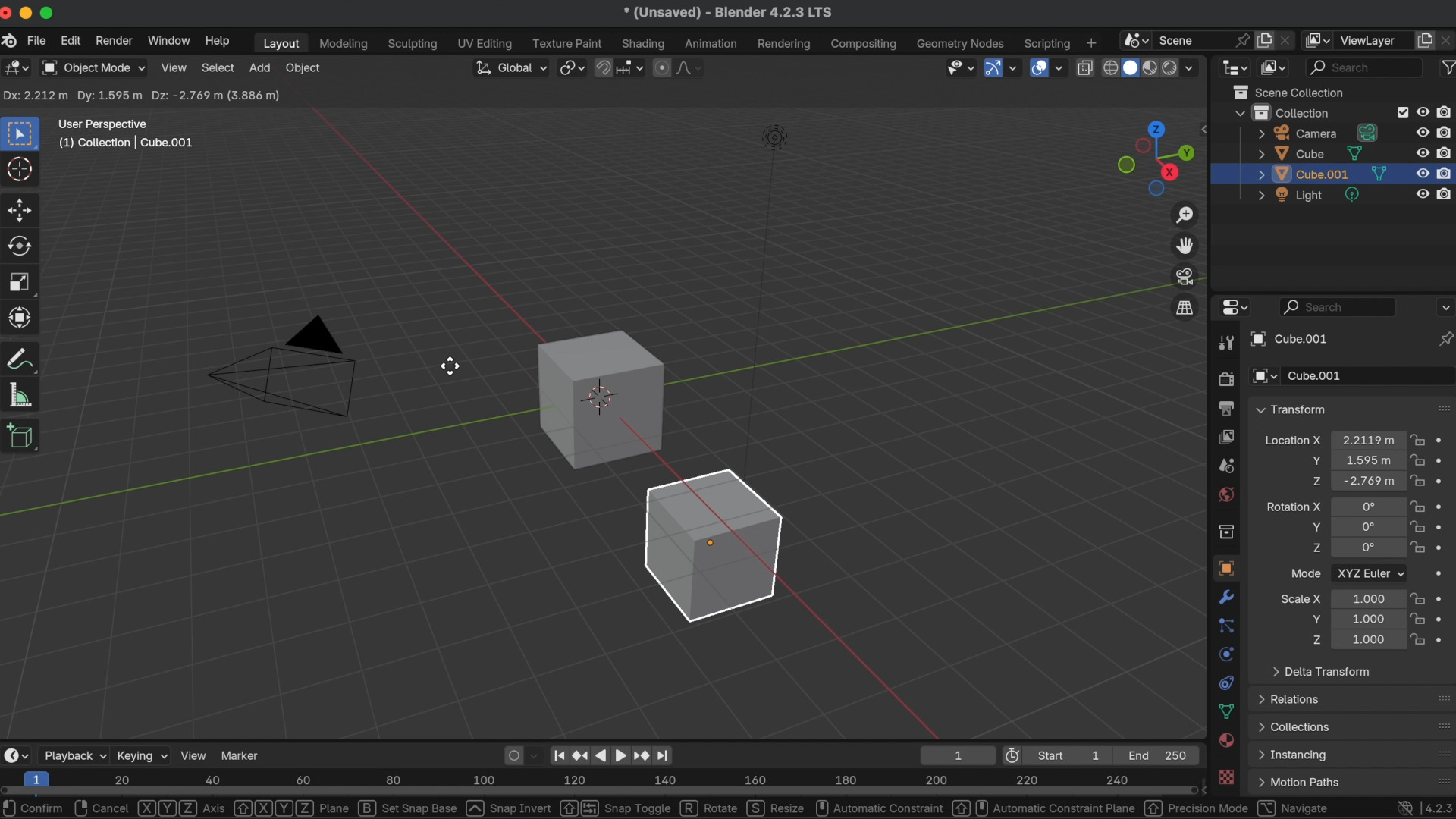 This screenshot has height=819, width=1456. I want to click on rotate, so click(23, 246).